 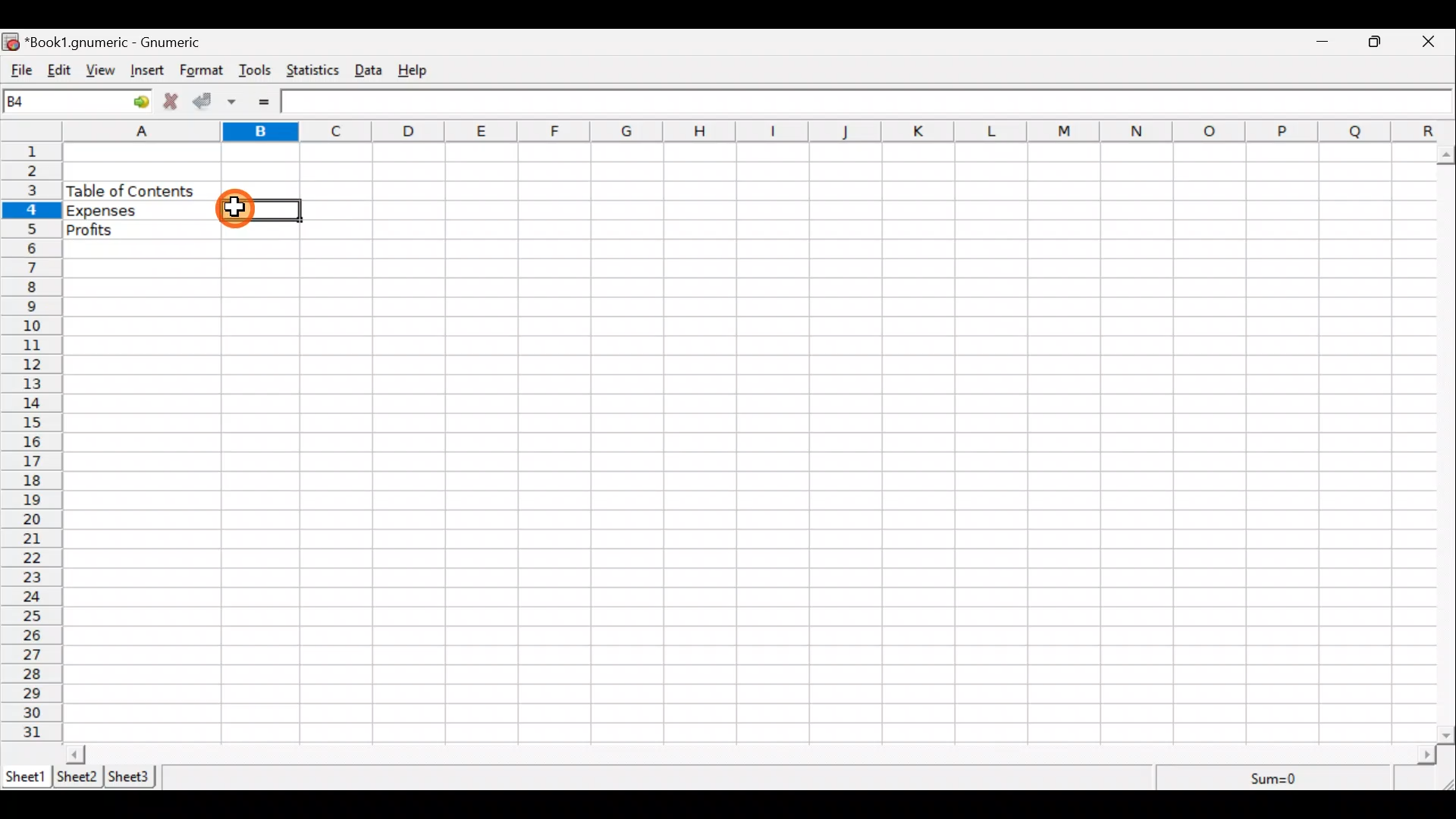 I want to click on Sum=0, so click(x=1276, y=780).